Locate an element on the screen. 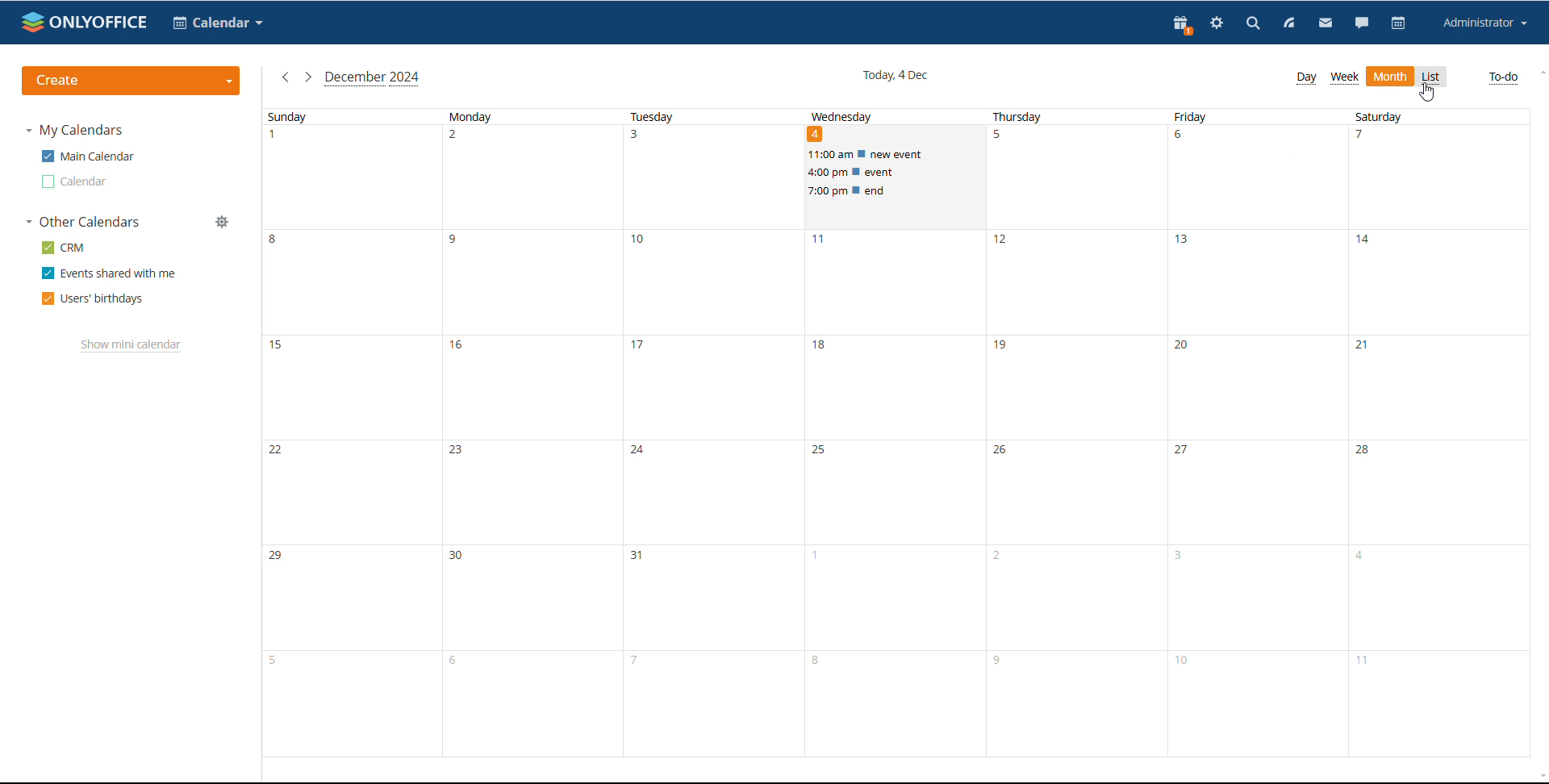  previous month is located at coordinates (286, 77).